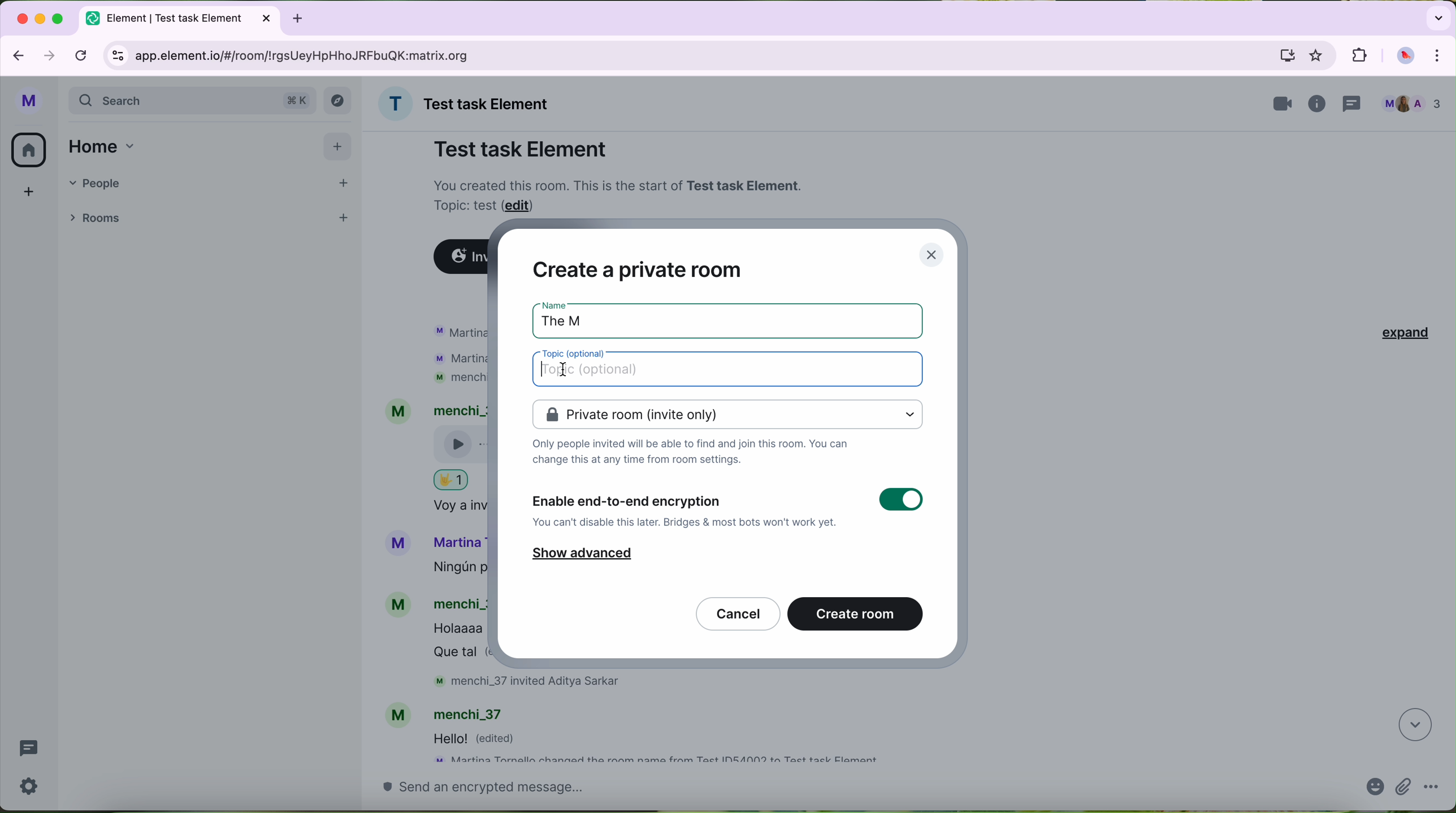 The width and height of the screenshot is (1456, 813). What do you see at coordinates (21, 19) in the screenshot?
I see `close Google Chrome` at bounding box center [21, 19].